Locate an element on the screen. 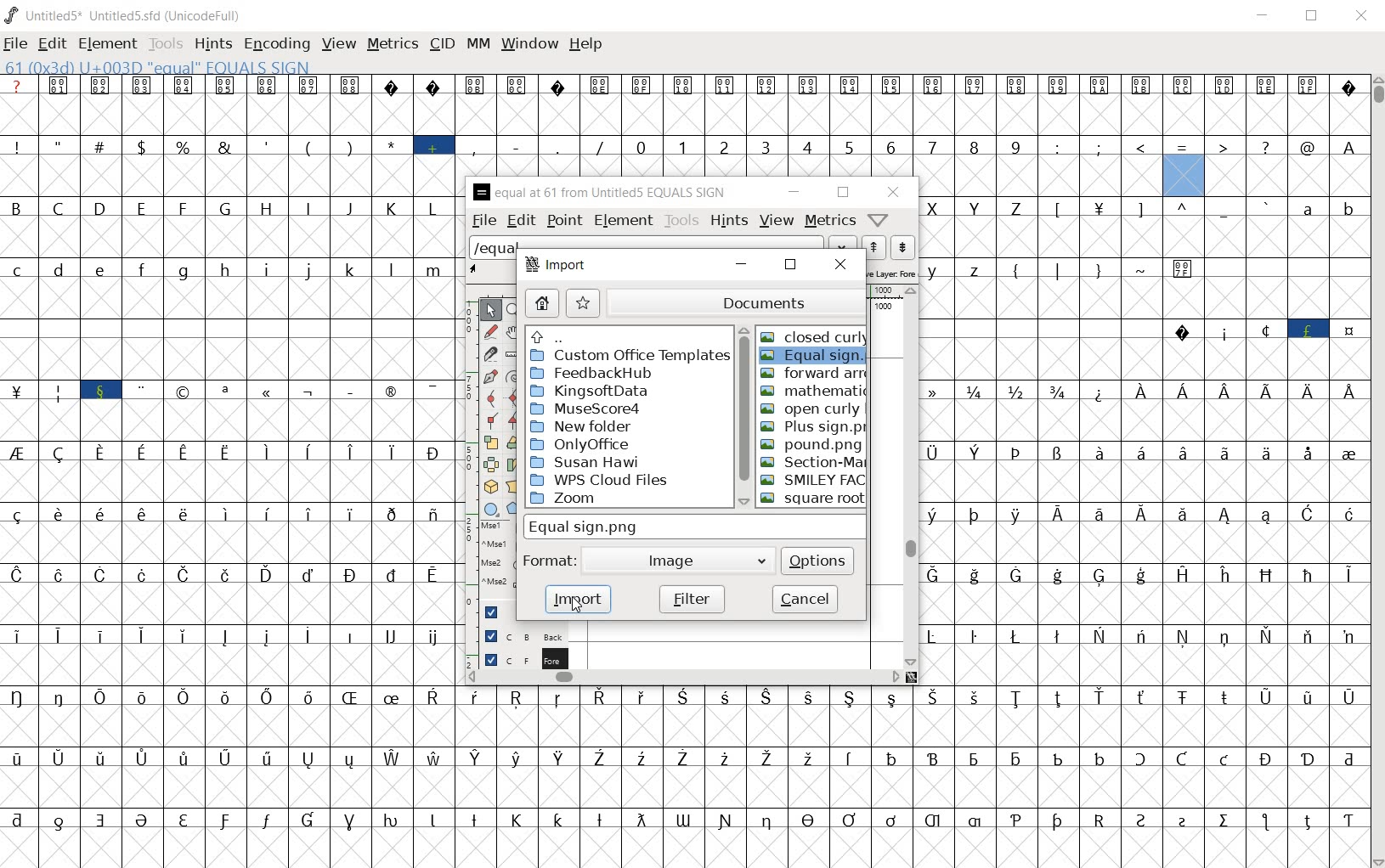  FORWARD is located at coordinates (814, 374).